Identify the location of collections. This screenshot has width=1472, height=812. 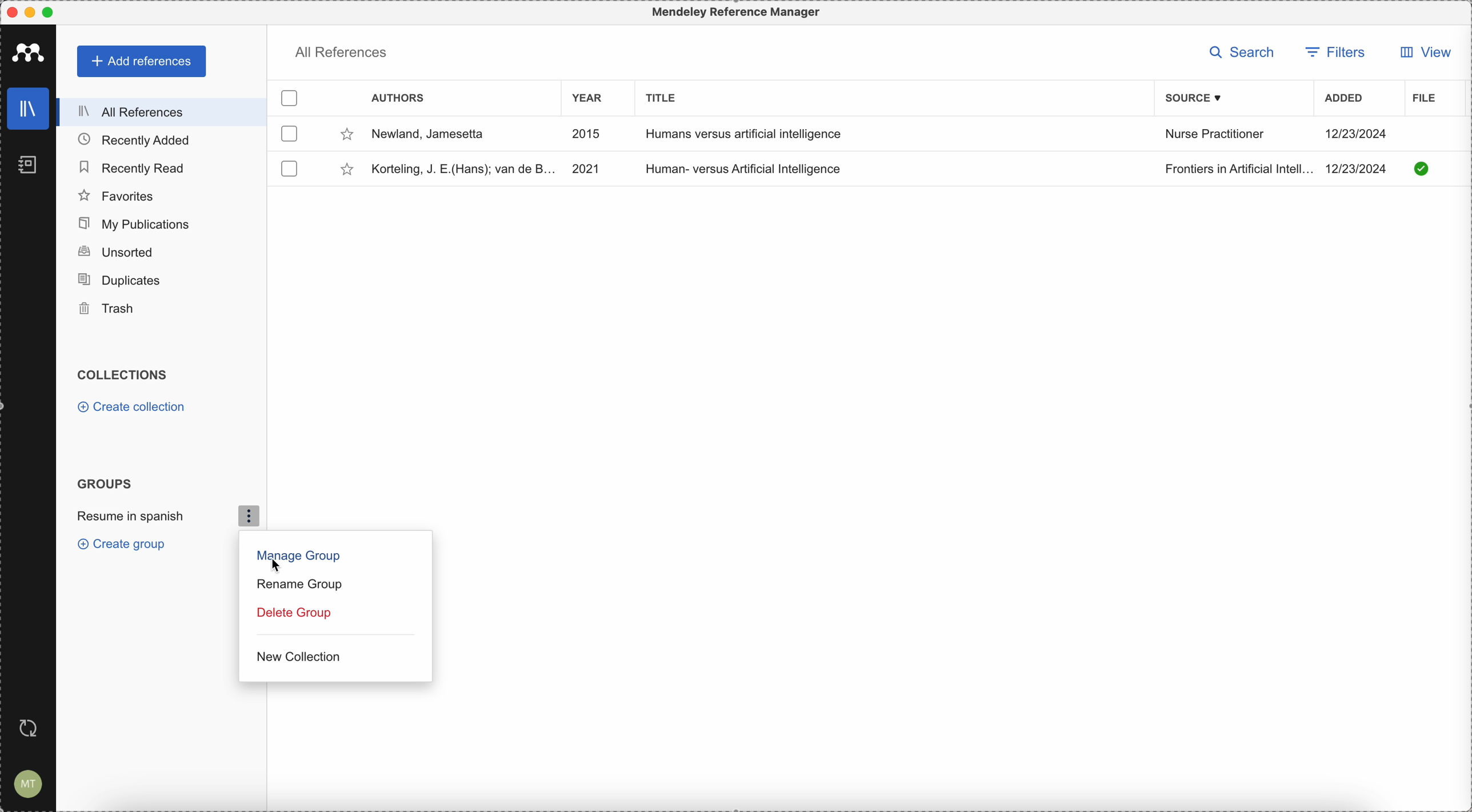
(123, 375).